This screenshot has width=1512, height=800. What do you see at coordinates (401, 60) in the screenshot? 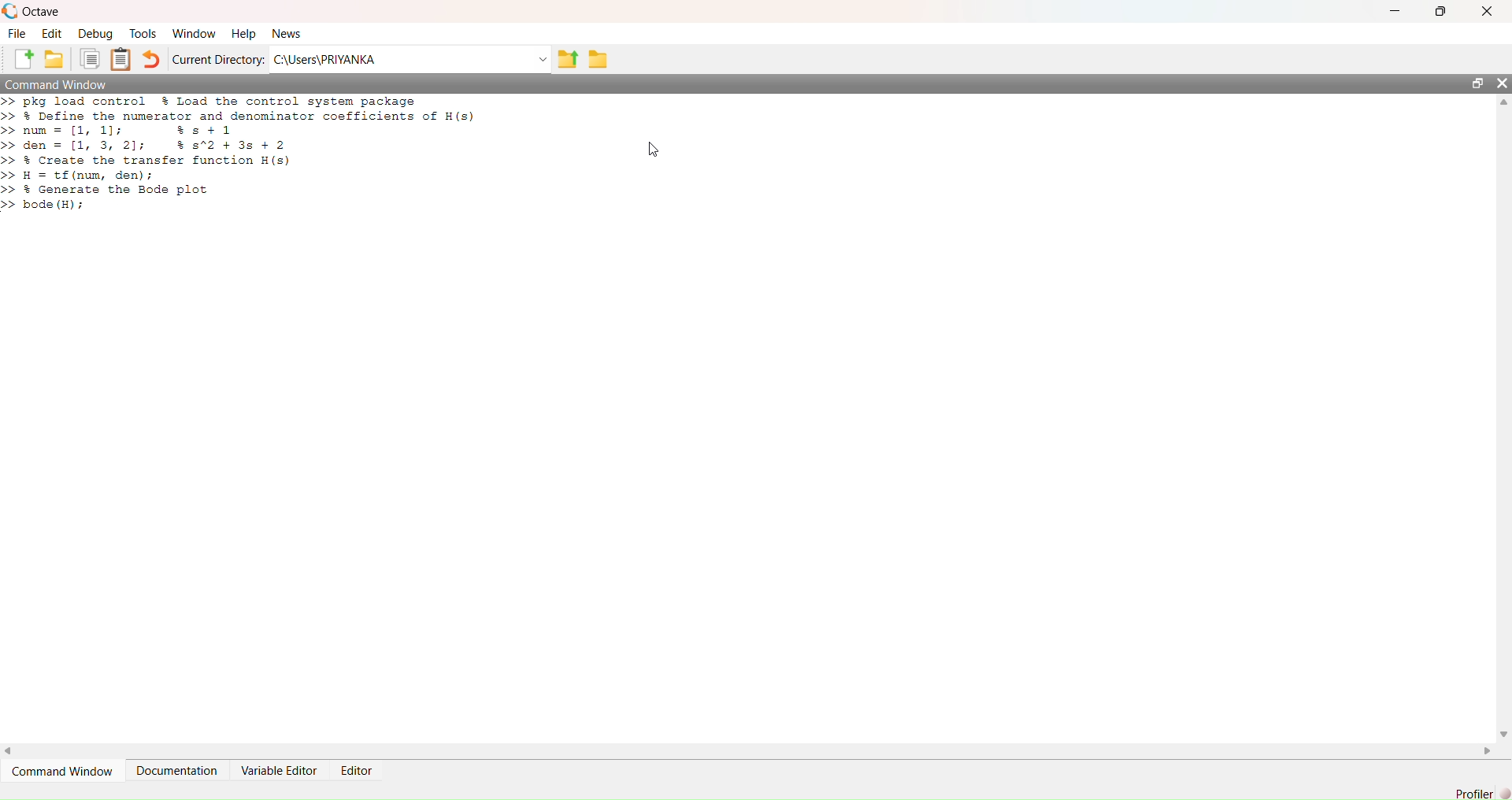
I see `C:\Users\PRIYANKA` at bounding box center [401, 60].